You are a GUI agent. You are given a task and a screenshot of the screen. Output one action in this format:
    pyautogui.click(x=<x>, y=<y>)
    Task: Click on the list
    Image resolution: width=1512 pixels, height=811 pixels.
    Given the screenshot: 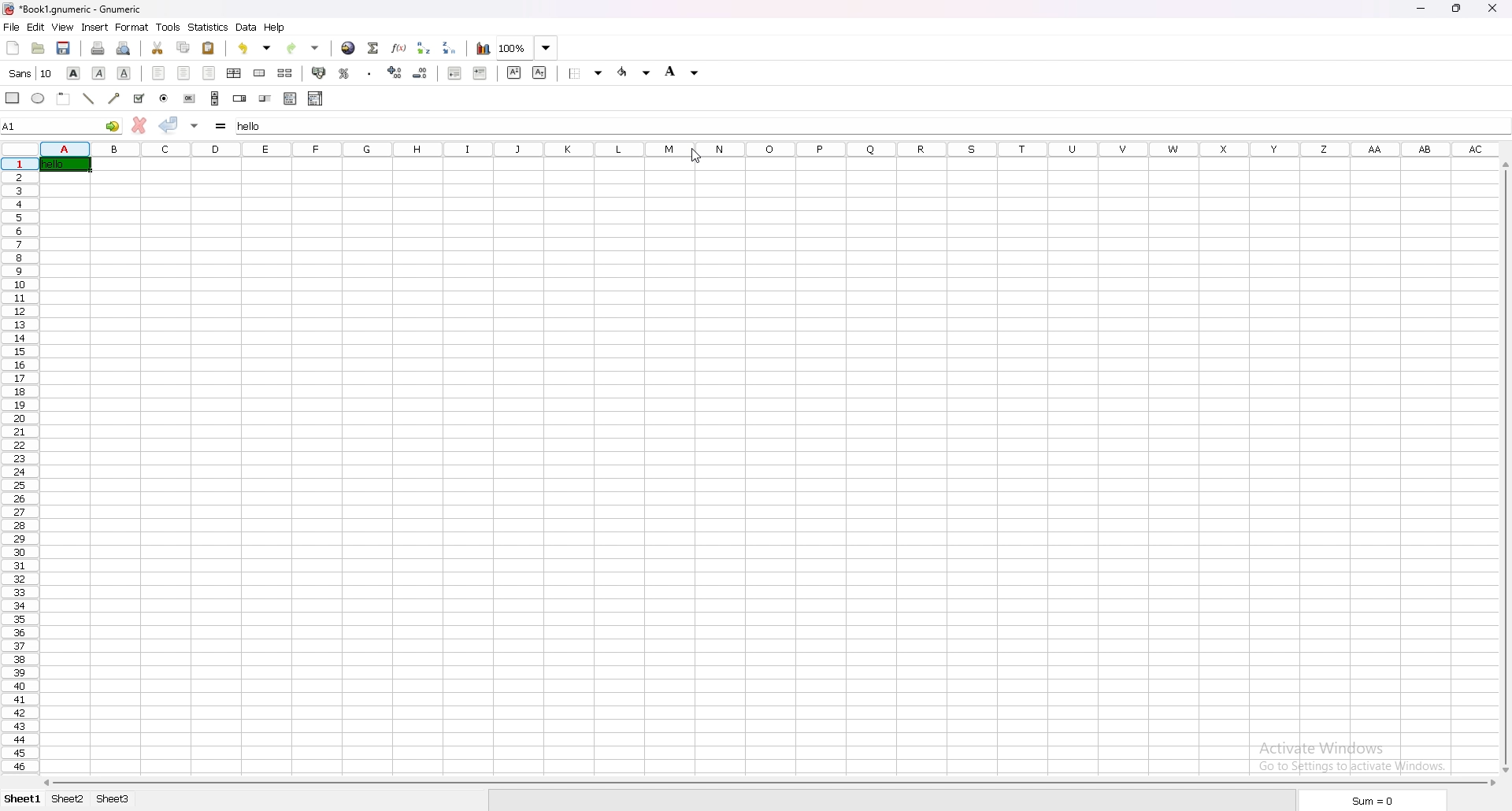 What is the action you would take?
    pyautogui.click(x=291, y=98)
    